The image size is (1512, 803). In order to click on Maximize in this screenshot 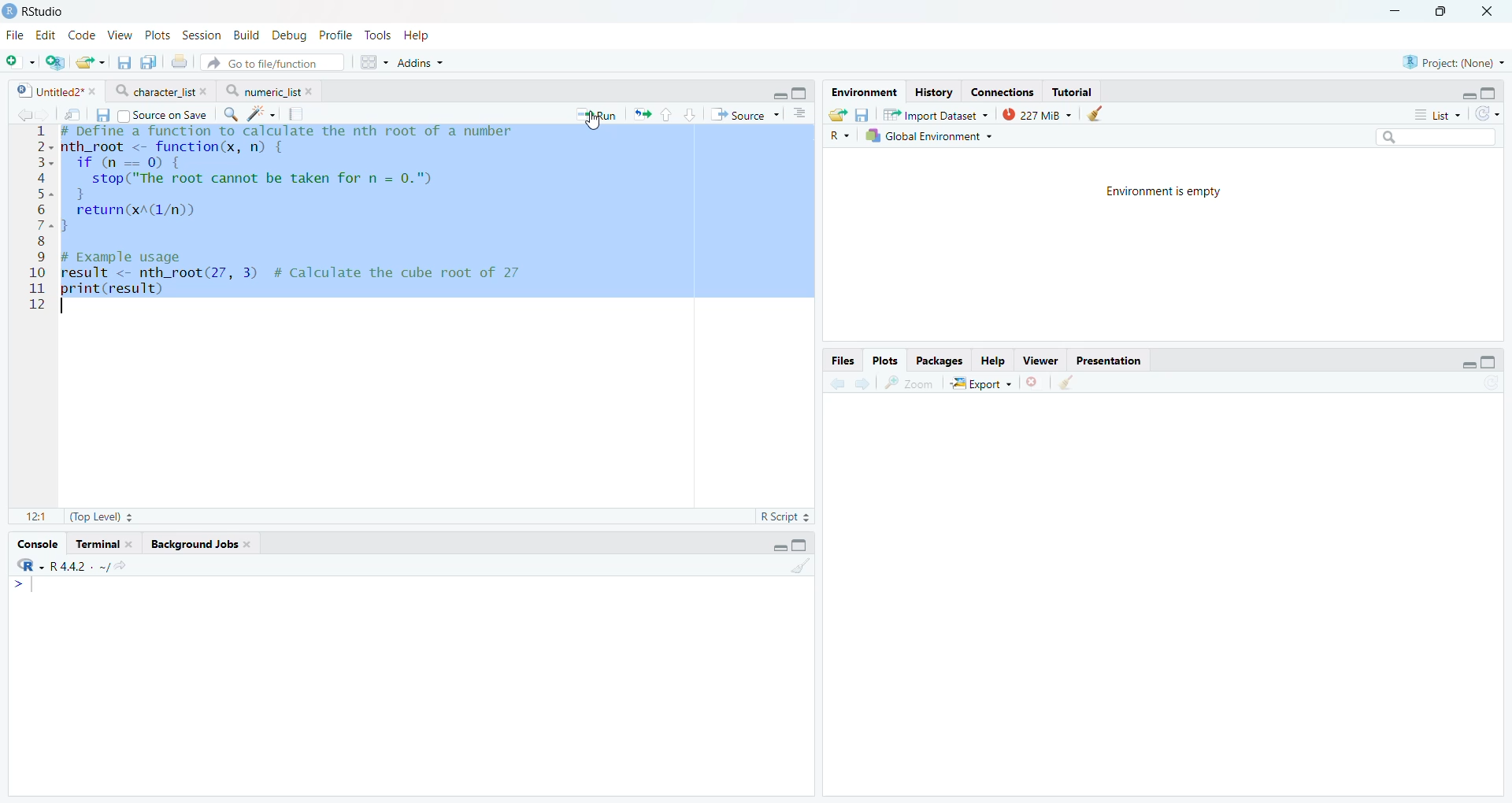, I will do `click(1443, 10)`.